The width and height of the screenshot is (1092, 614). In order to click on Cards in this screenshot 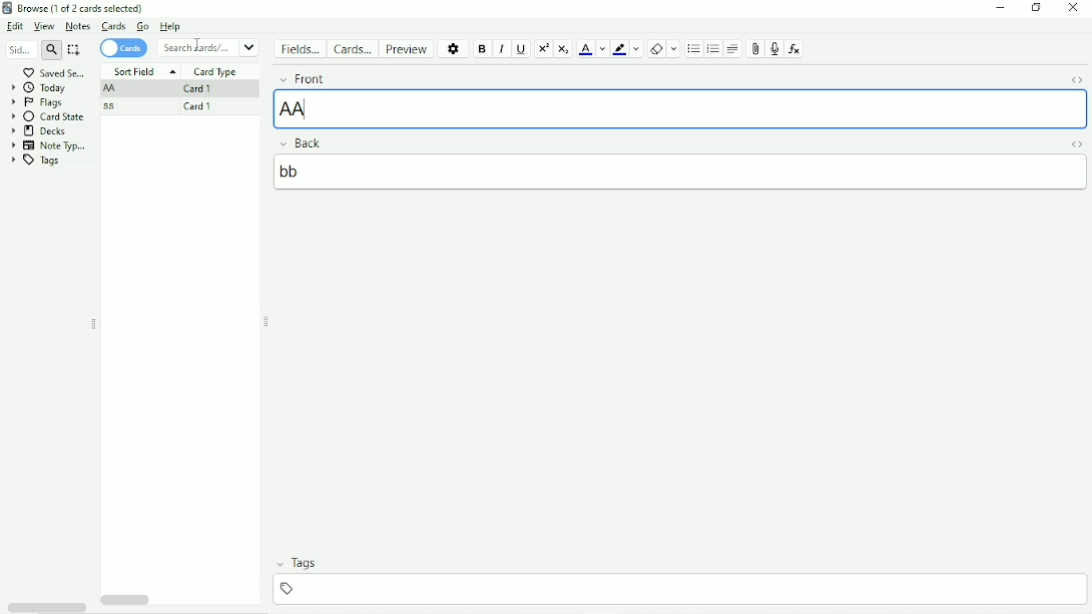, I will do `click(124, 48)`.